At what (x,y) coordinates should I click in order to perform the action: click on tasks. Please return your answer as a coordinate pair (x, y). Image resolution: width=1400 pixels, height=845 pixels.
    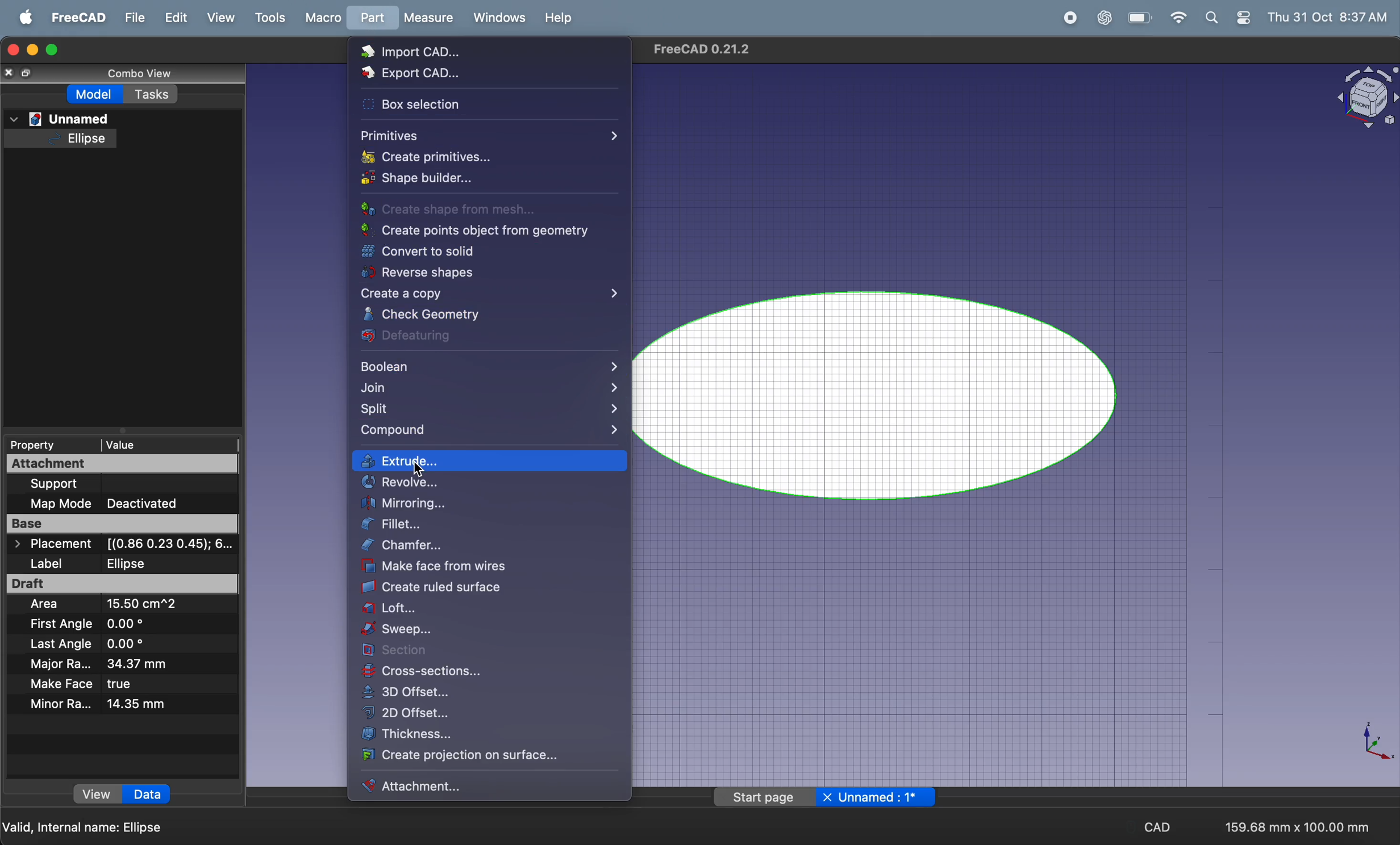
    Looking at the image, I should click on (159, 98).